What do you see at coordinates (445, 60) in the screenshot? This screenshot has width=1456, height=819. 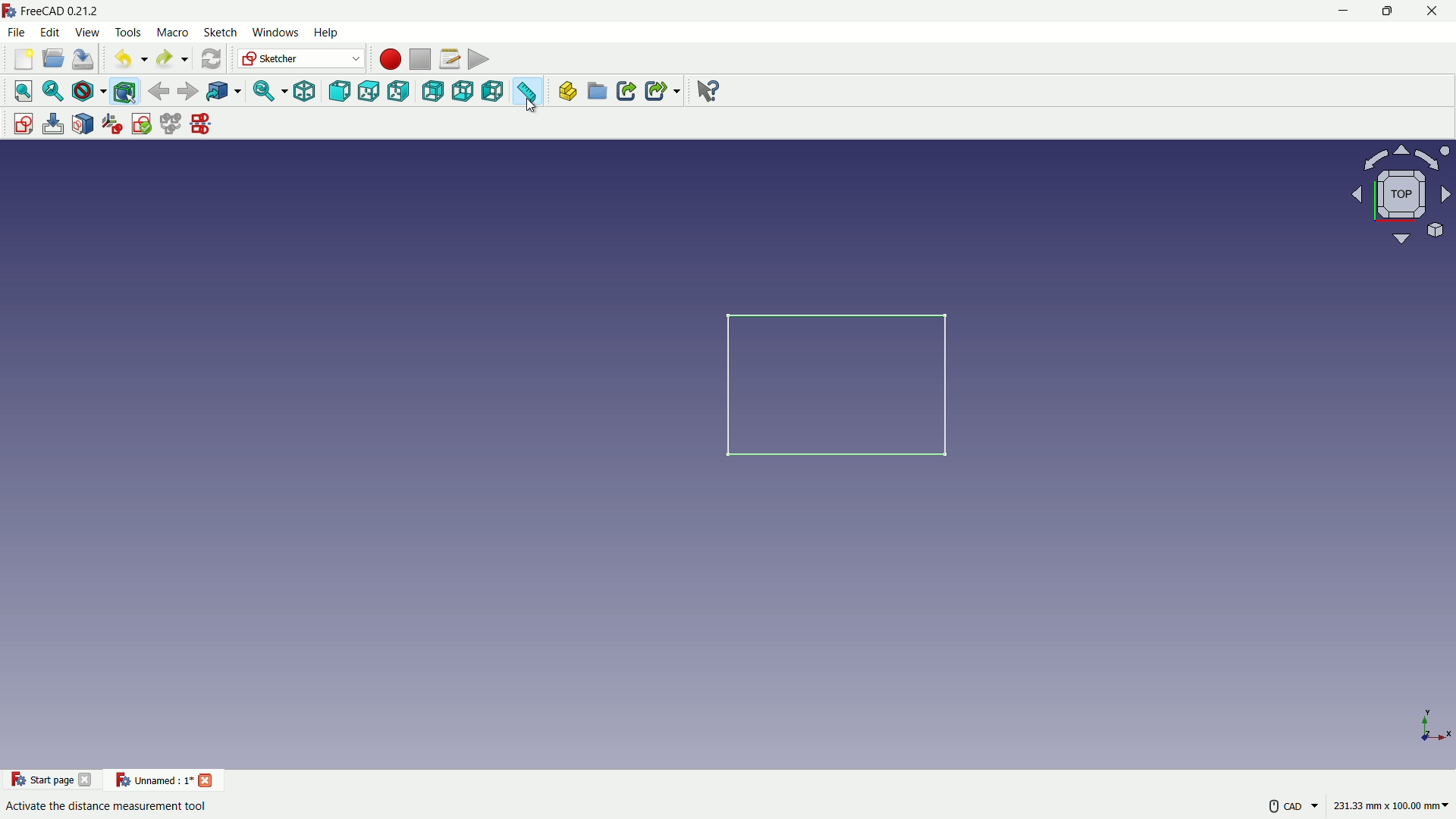 I see `macro settings` at bounding box center [445, 60].